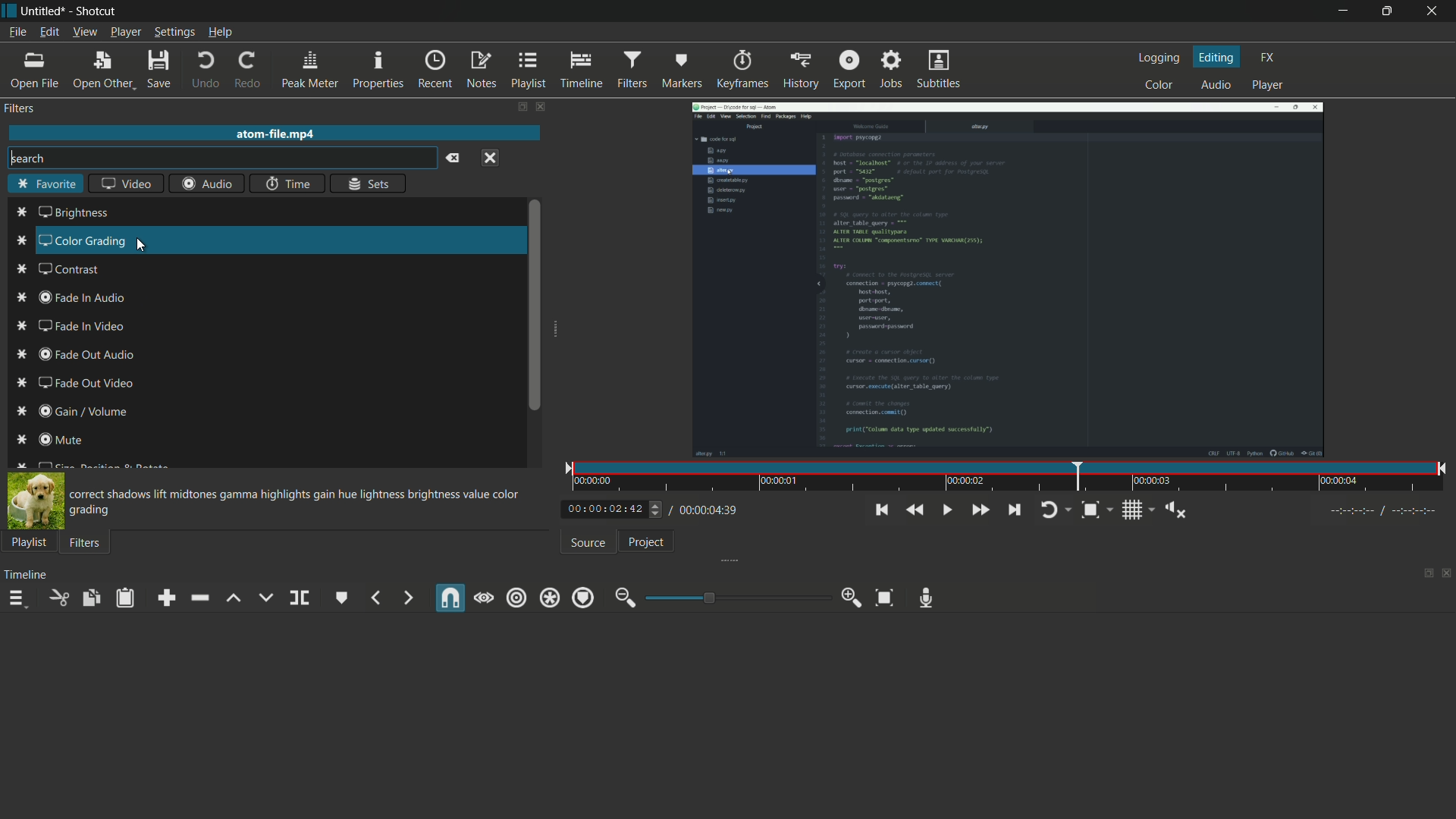 This screenshot has width=1456, height=819. Describe the element at coordinates (1138, 509) in the screenshot. I see `toggle grid` at that location.